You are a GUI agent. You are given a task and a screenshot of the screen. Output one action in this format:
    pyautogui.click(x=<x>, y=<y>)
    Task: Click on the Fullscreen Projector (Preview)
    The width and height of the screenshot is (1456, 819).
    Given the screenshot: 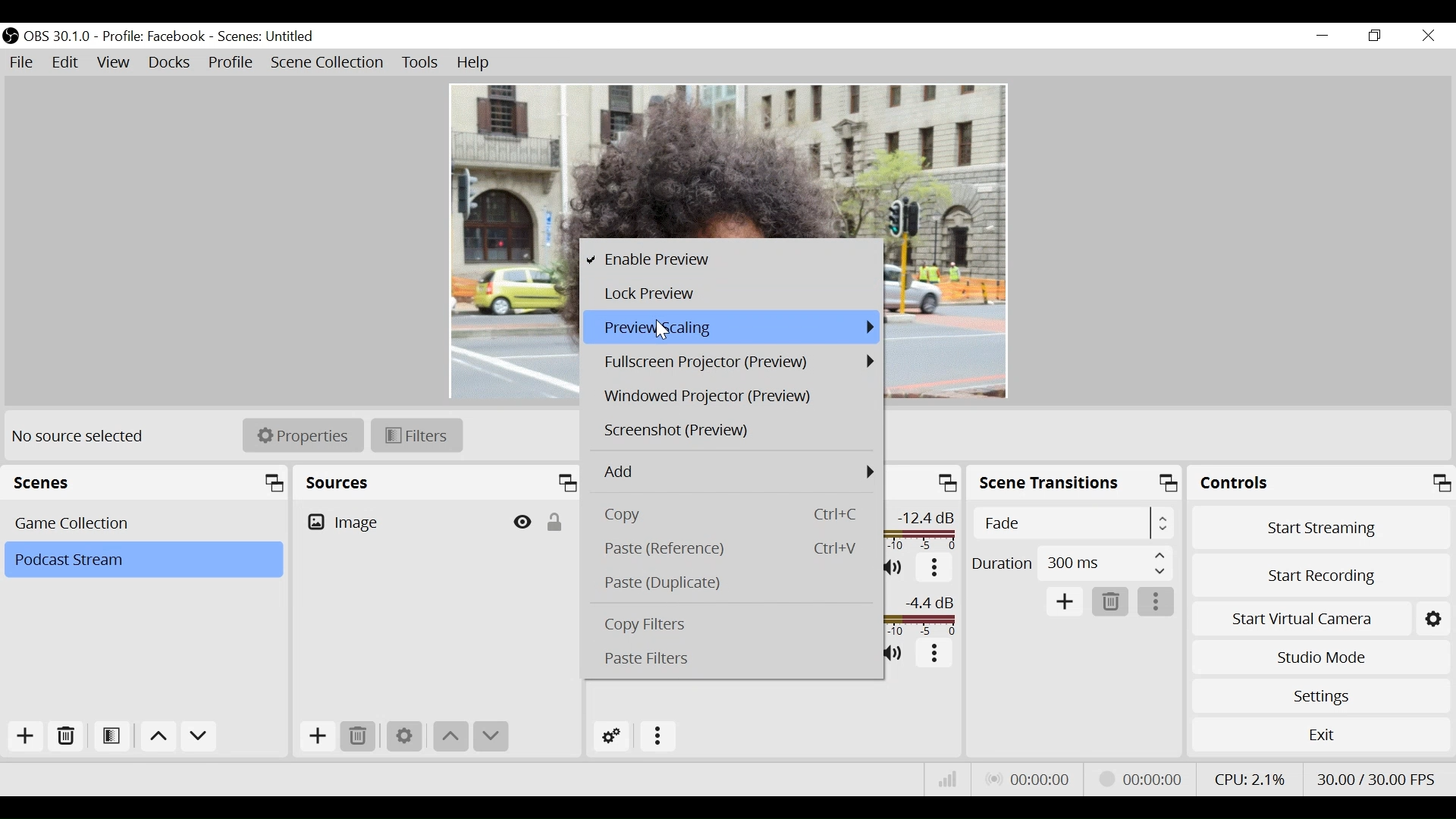 What is the action you would take?
    pyautogui.click(x=733, y=362)
    